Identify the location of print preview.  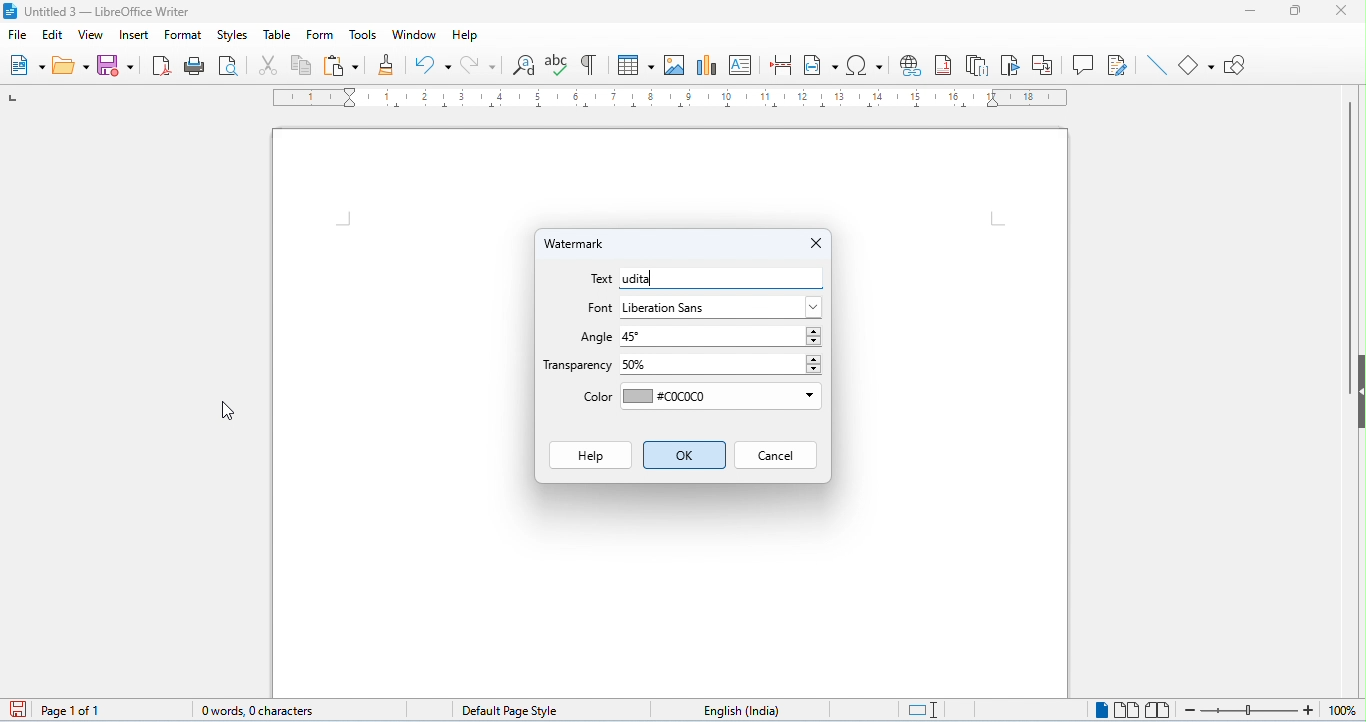
(229, 66).